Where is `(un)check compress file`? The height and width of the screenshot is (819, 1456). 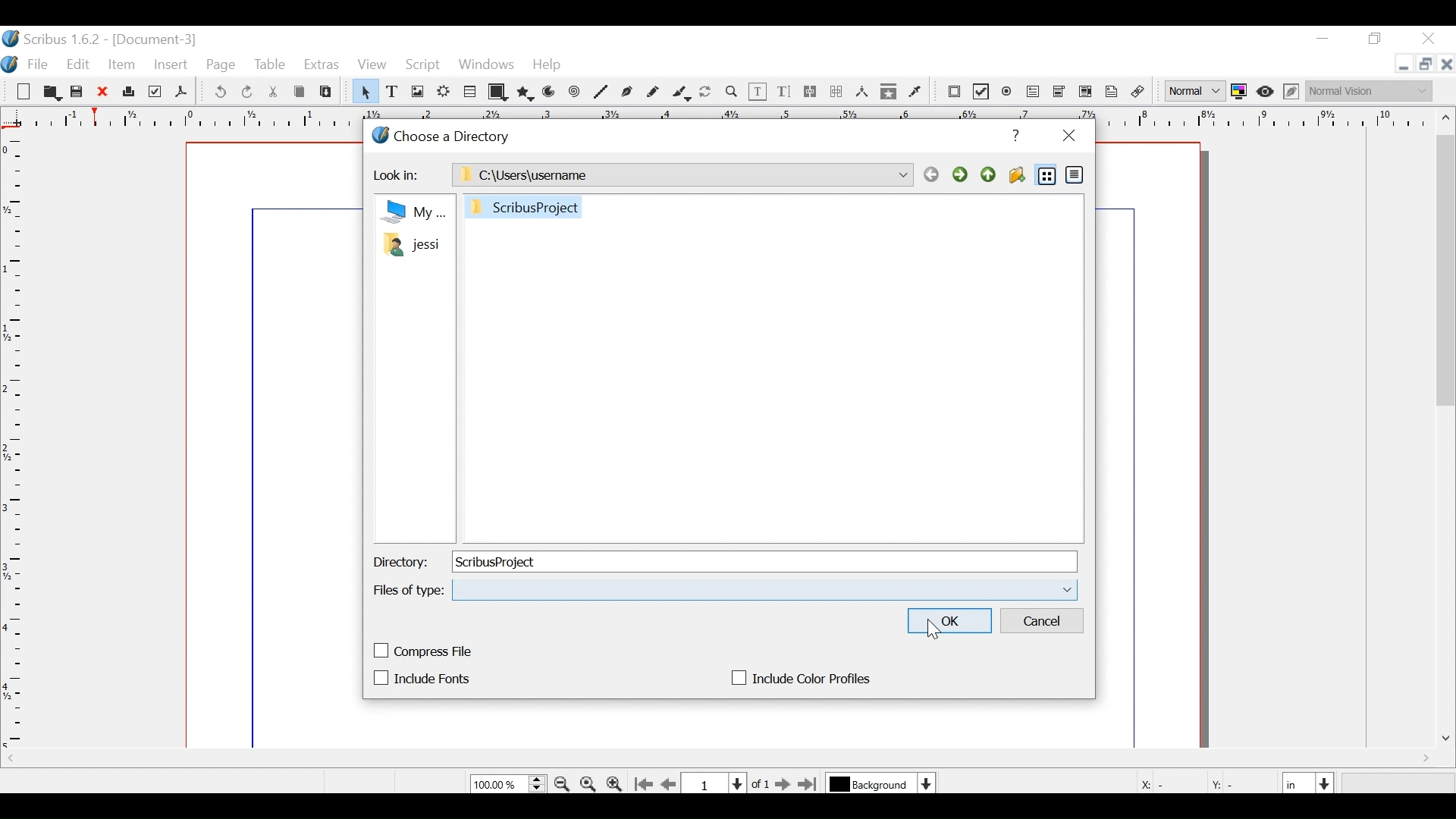
(un)check compress file is located at coordinates (424, 651).